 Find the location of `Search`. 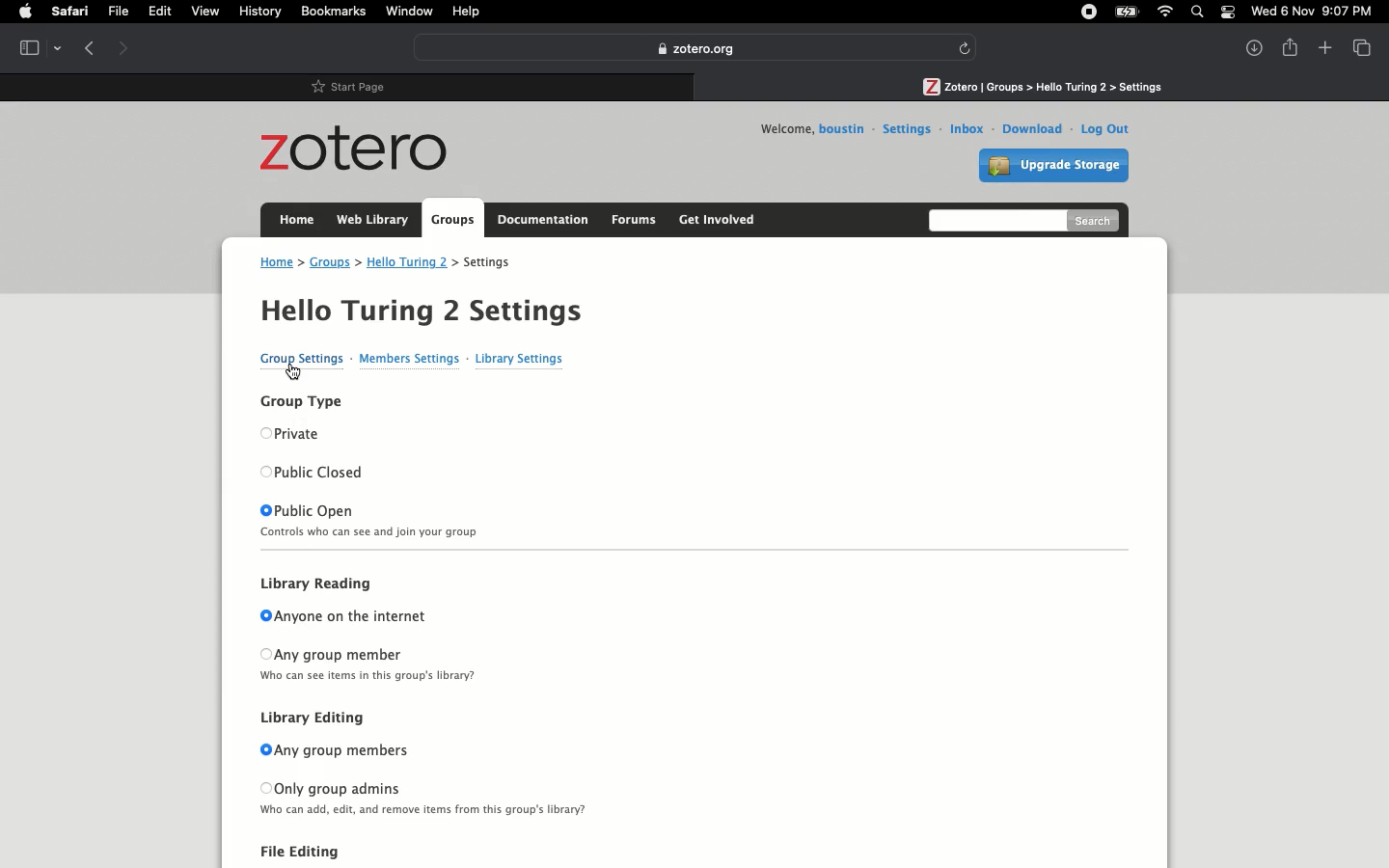

Search is located at coordinates (1093, 222).